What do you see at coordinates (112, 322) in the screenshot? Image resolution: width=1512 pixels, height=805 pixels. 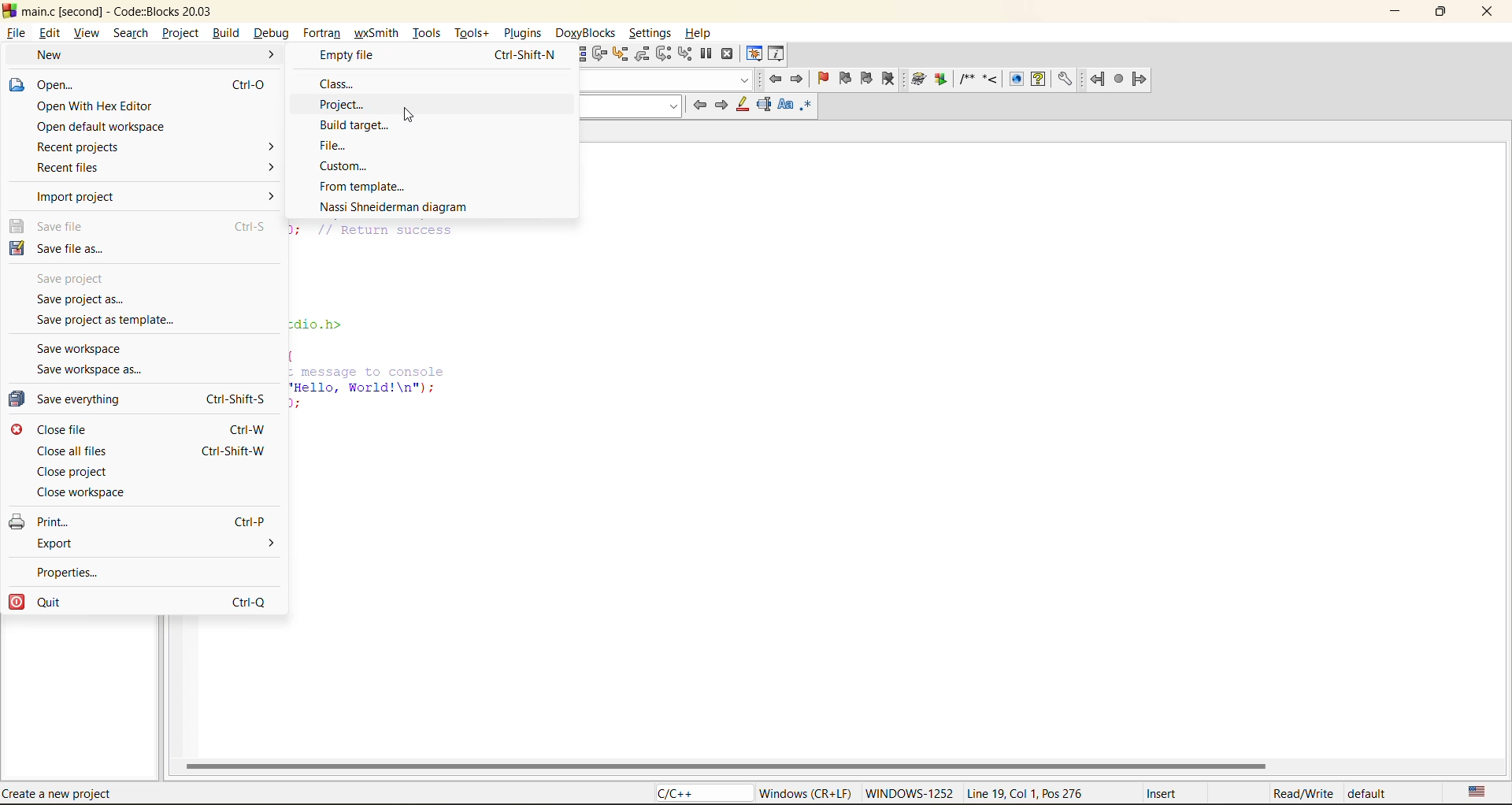 I see `save project as template` at bounding box center [112, 322].